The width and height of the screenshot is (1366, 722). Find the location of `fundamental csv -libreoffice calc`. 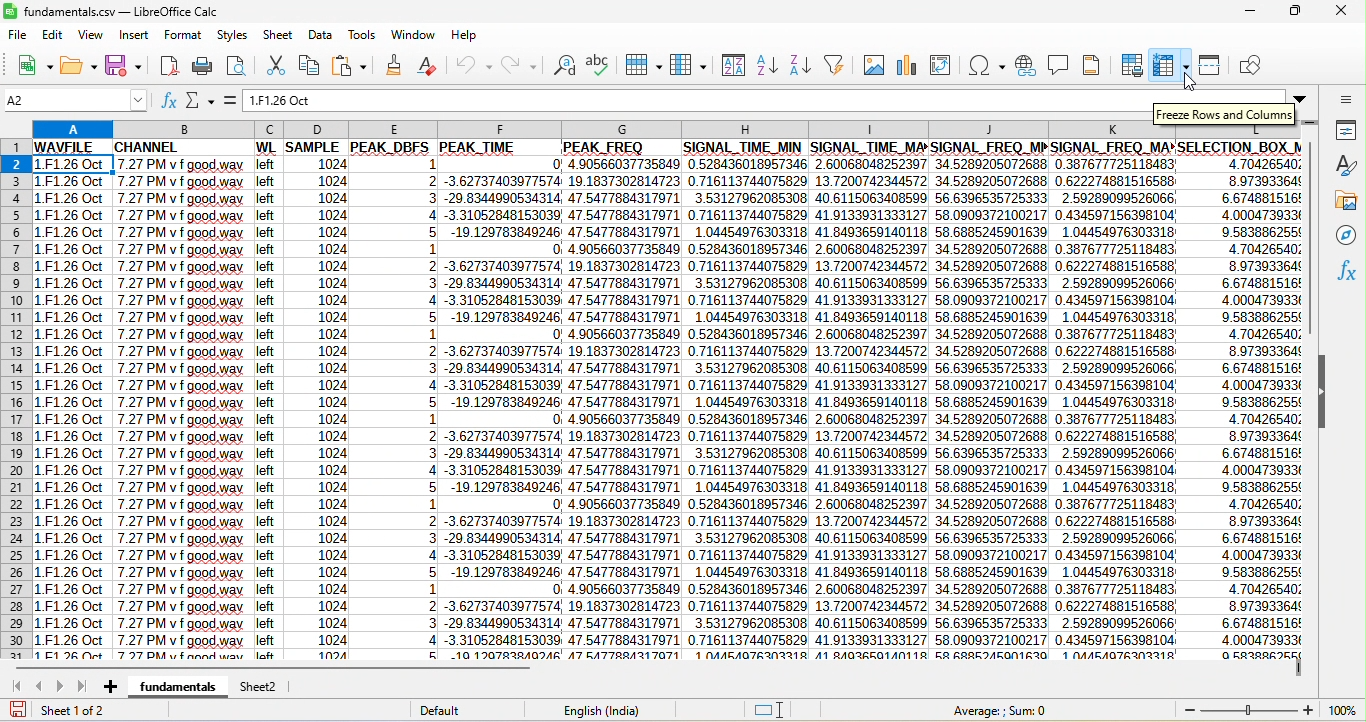

fundamental csv -libreoffice calc is located at coordinates (118, 9).